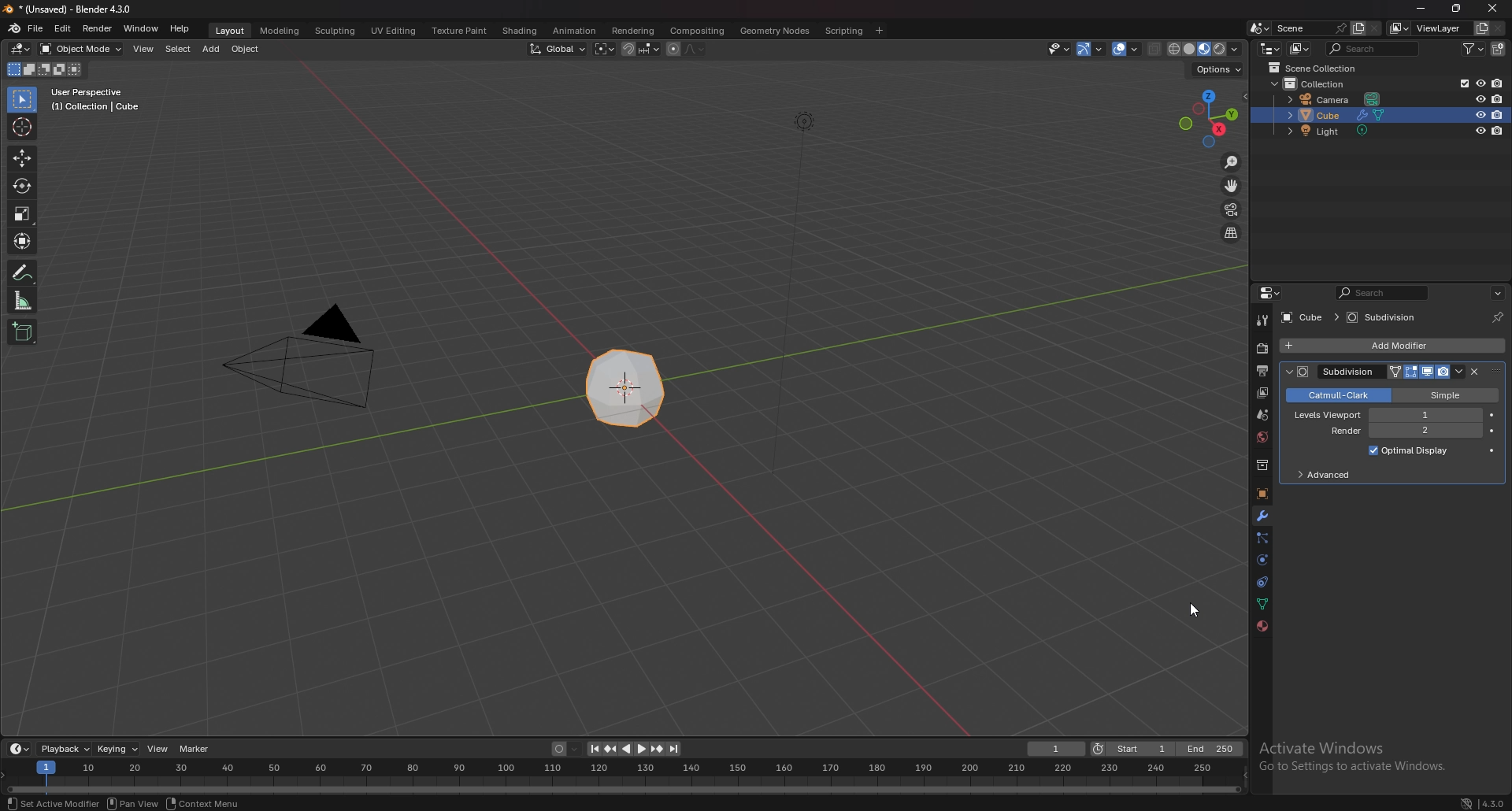  Describe the element at coordinates (1058, 49) in the screenshot. I see `visiblity and selectibility` at that location.